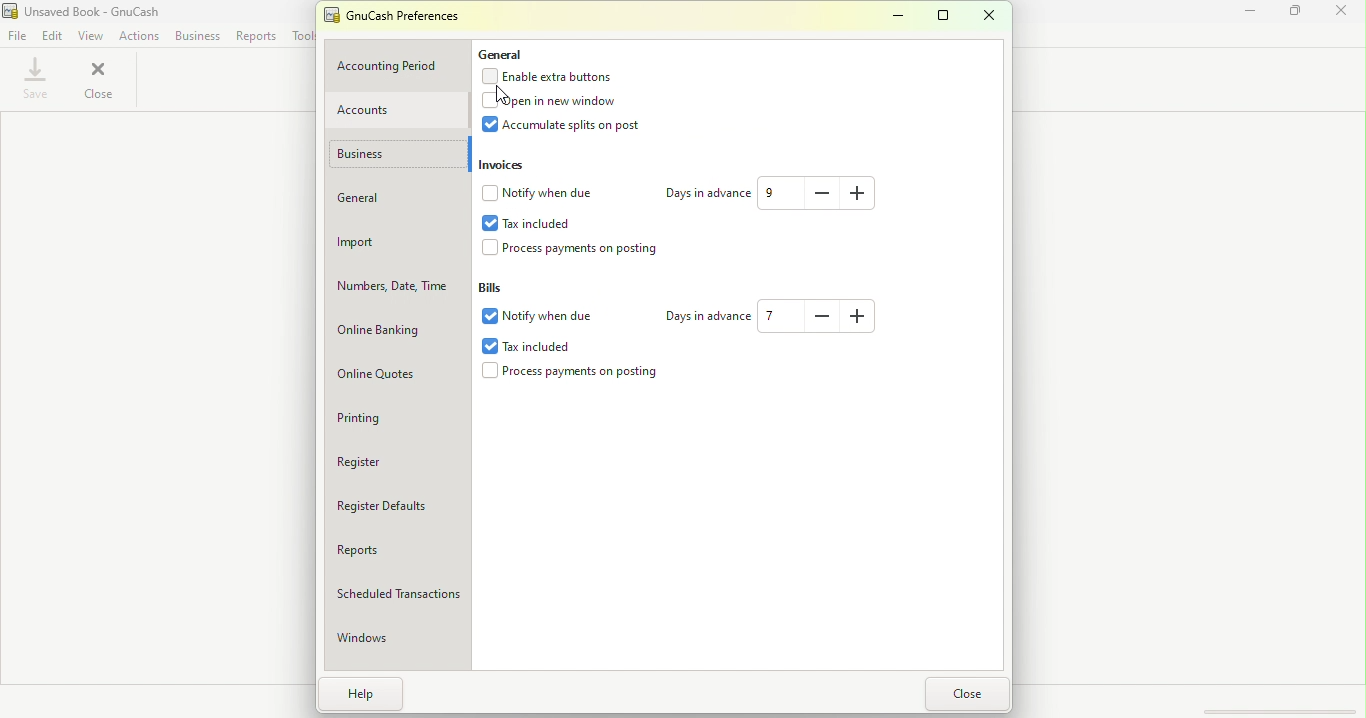 This screenshot has height=718, width=1366. I want to click on Days in advance, so click(702, 194).